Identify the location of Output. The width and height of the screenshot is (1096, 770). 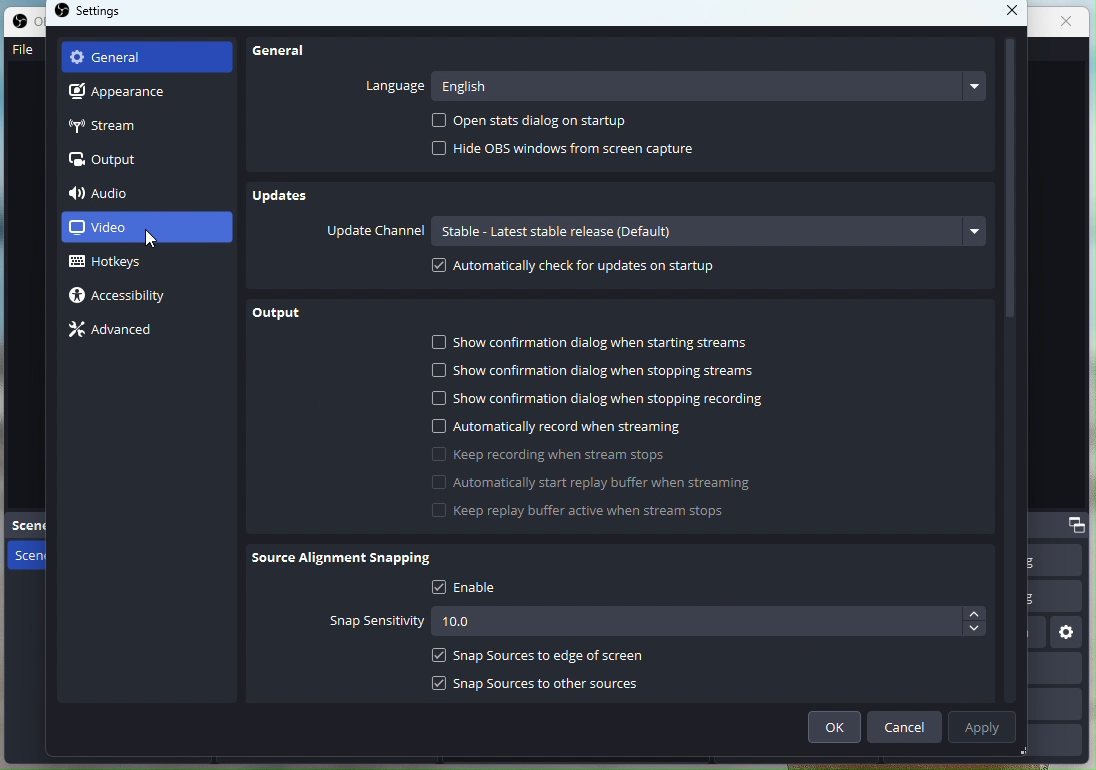
(137, 164).